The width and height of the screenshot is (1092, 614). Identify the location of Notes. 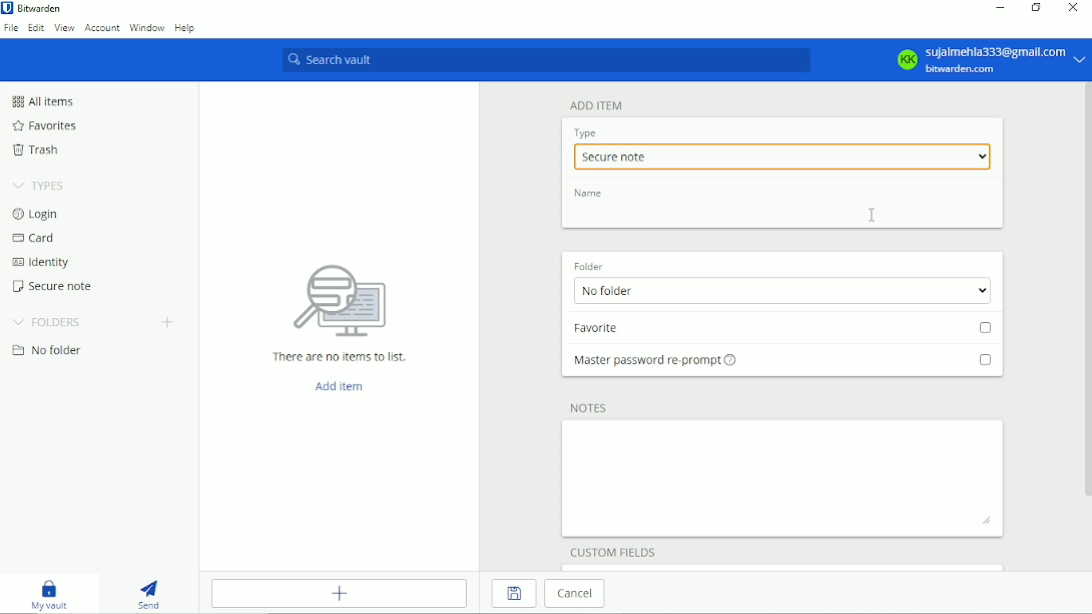
(591, 407).